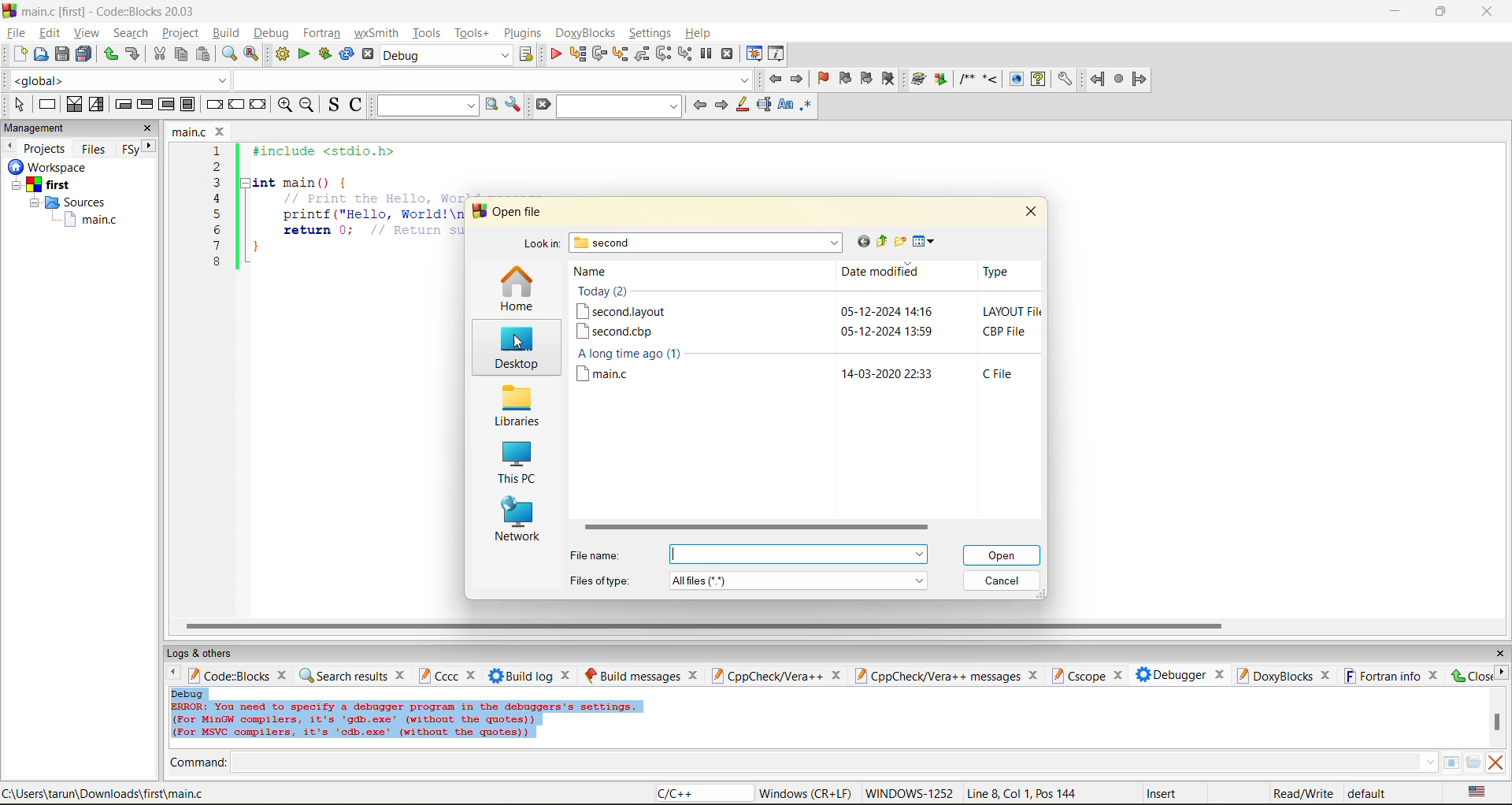 The image size is (1512, 805). I want to click on copy, so click(182, 54).